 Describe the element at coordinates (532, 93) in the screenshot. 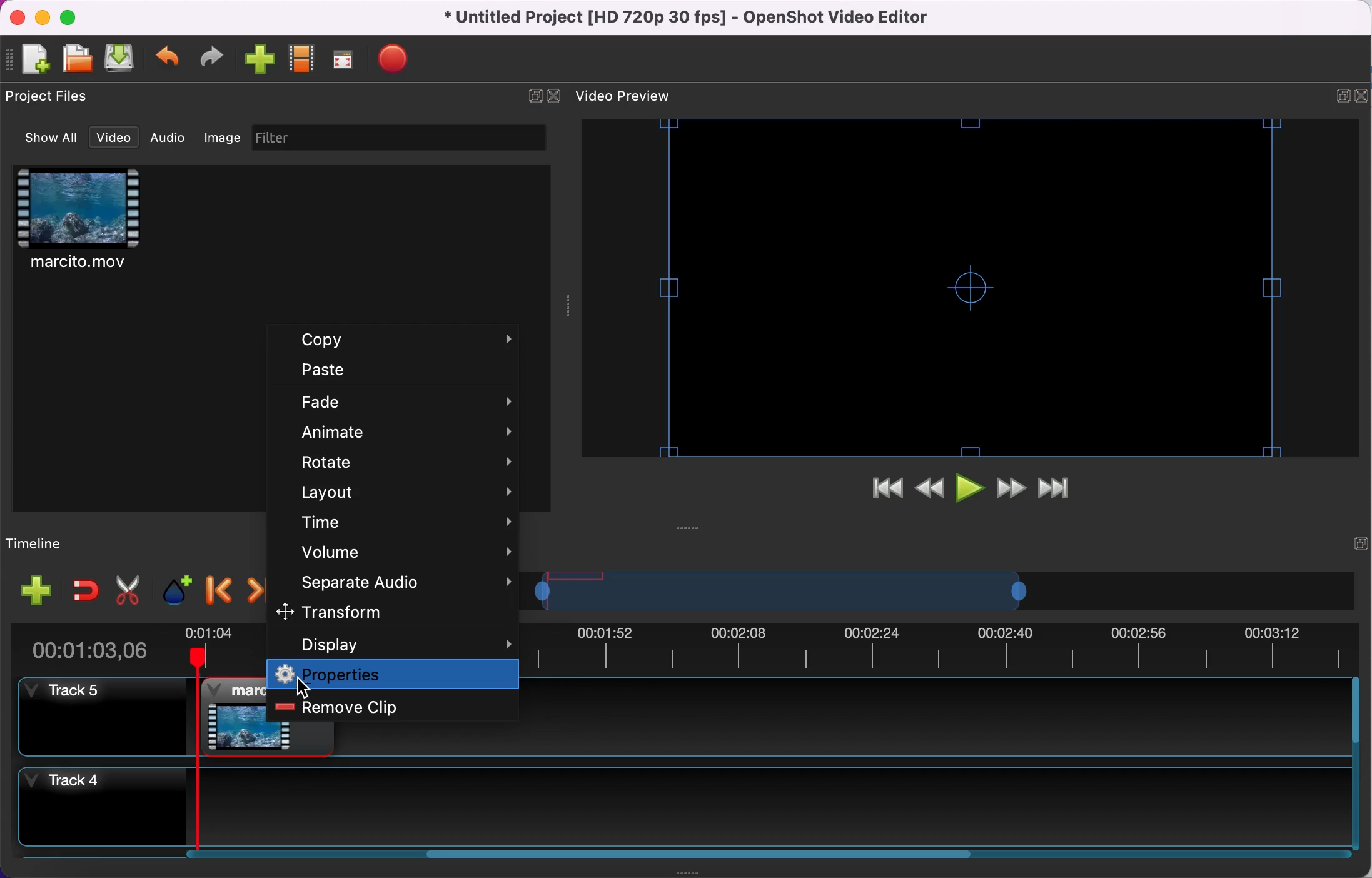

I see `expand/hide` at that location.